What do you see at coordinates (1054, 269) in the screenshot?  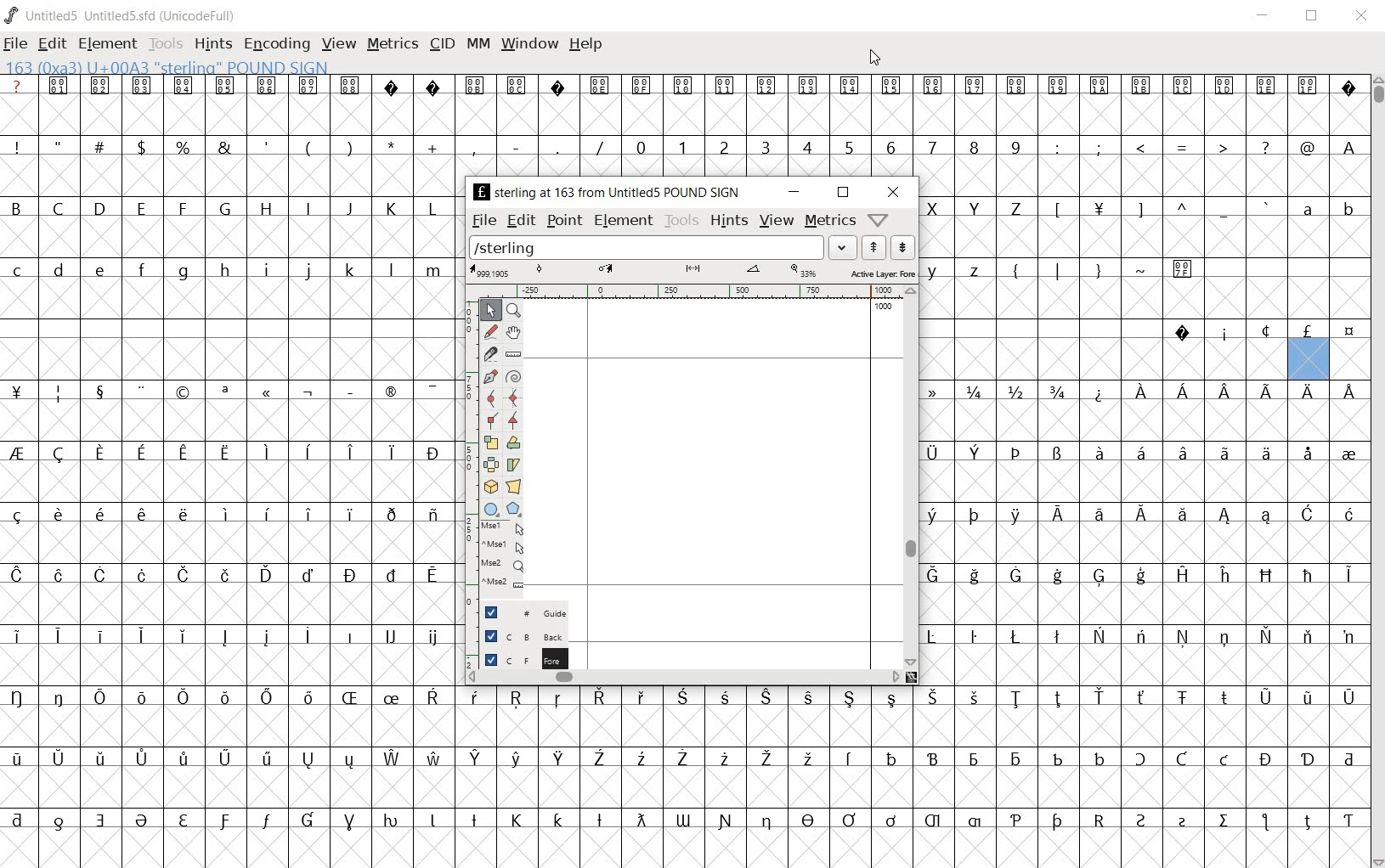 I see `|` at bounding box center [1054, 269].